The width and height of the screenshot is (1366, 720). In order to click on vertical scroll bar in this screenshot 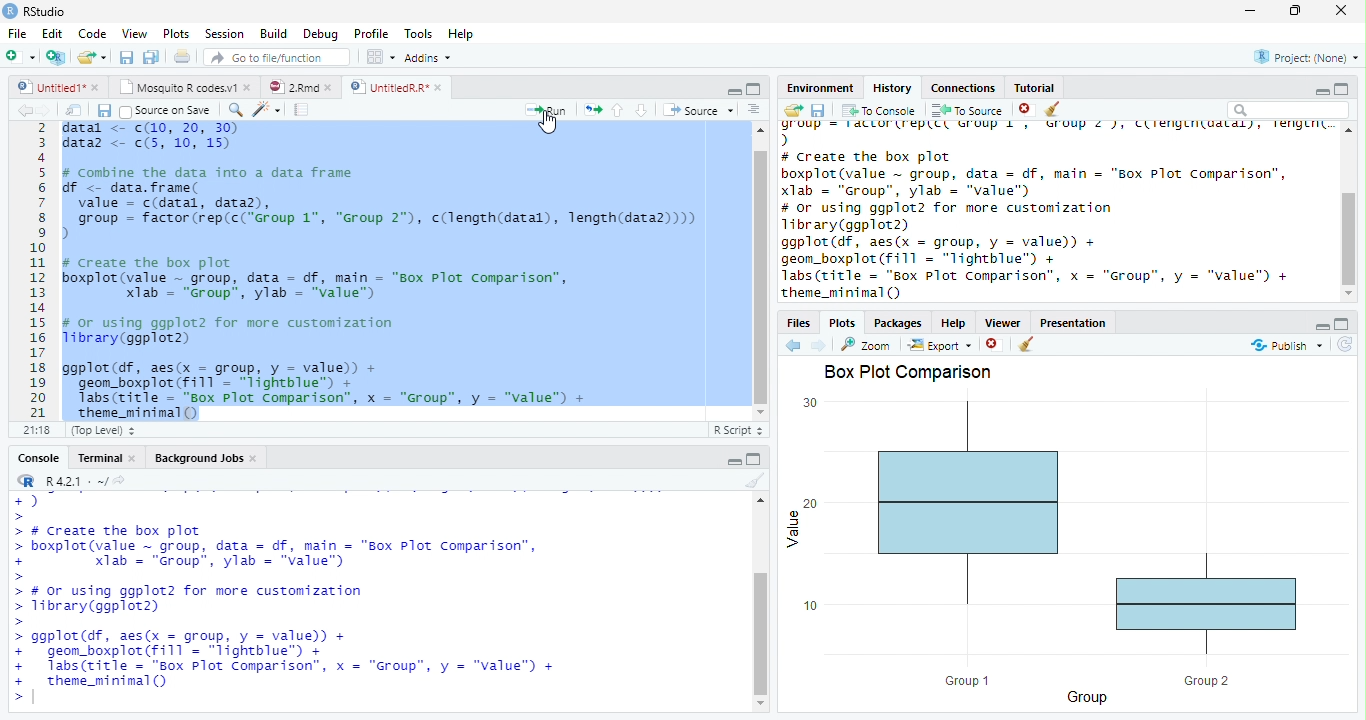, I will do `click(1348, 212)`.